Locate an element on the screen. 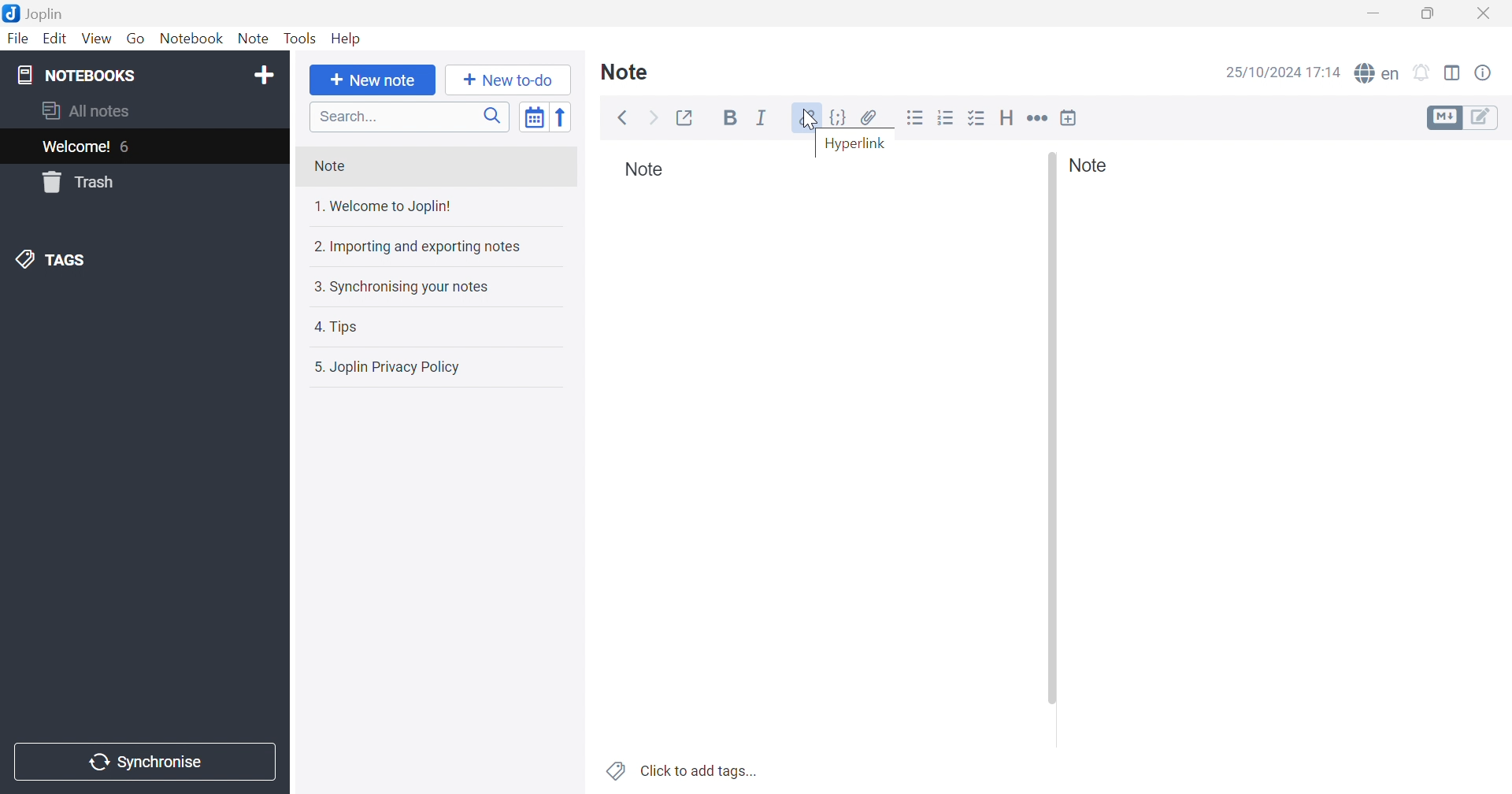 This screenshot has height=794, width=1512. Toggle external editing is located at coordinates (688, 117).